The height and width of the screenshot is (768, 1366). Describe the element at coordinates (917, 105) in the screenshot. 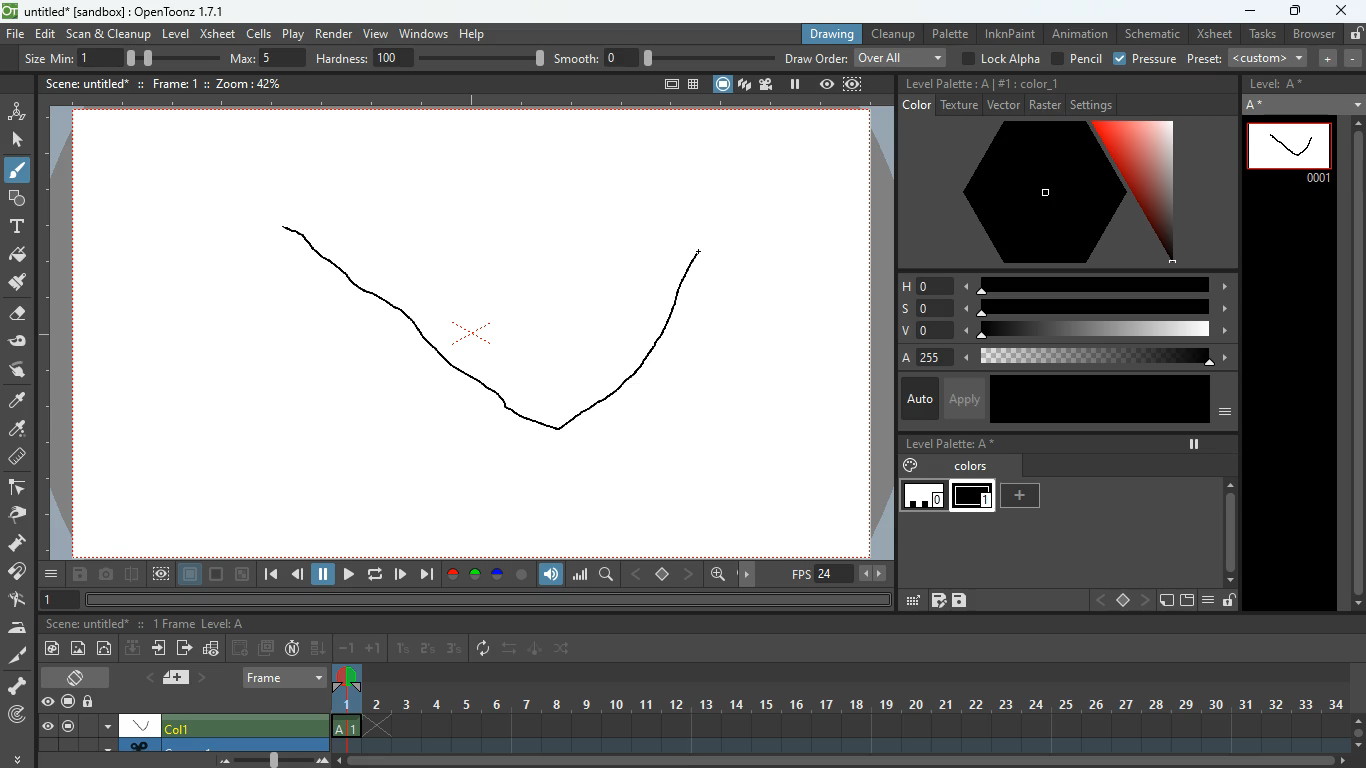

I see `color` at that location.